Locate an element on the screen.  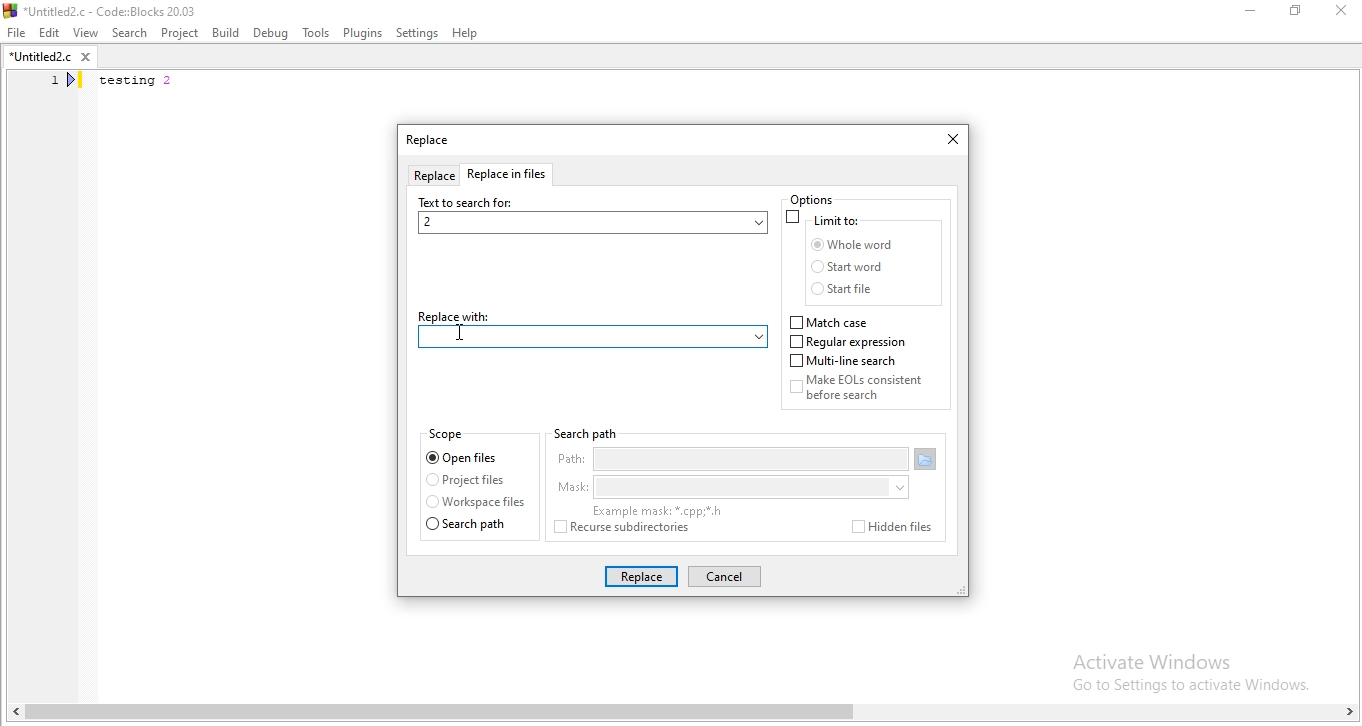
limit to is located at coordinates (826, 219).